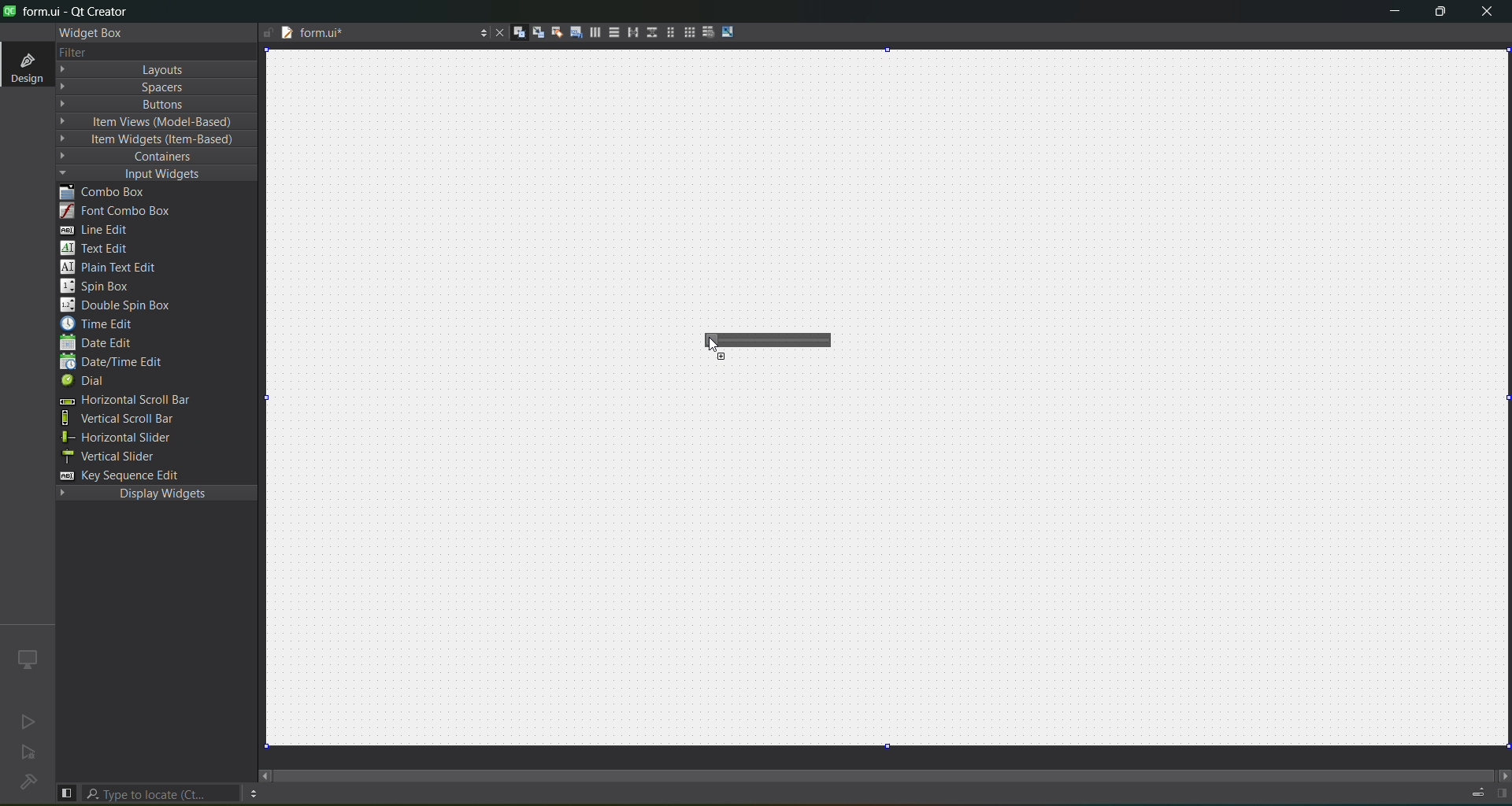 The height and width of the screenshot is (806, 1512). I want to click on tab order, so click(571, 32).